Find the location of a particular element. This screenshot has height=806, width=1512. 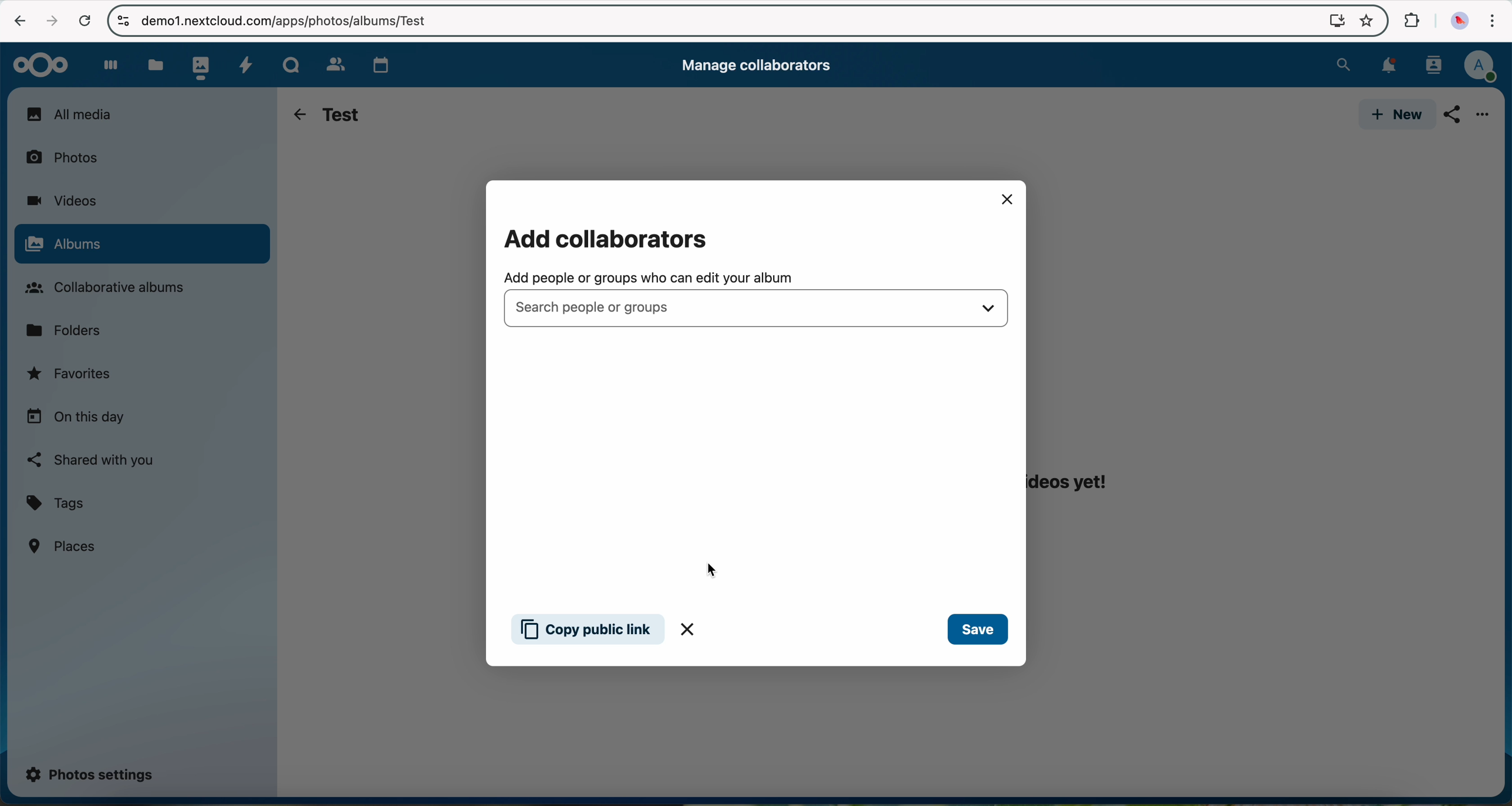

notifications is located at coordinates (1385, 66).